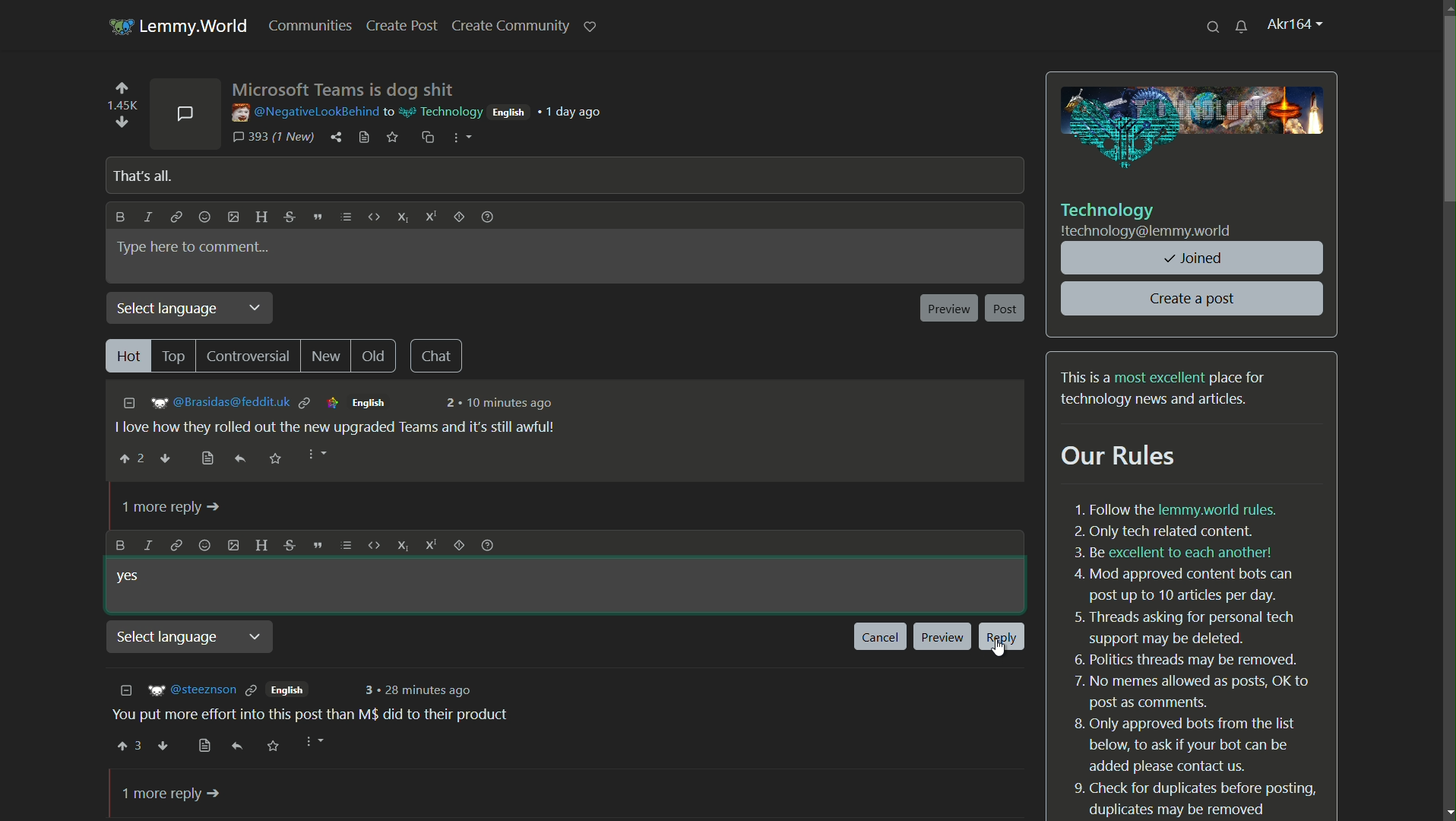 Image resolution: width=1456 pixels, height=821 pixels. What do you see at coordinates (121, 544) in the screenshot?
I see `bold` at bounding box center [121, 544].